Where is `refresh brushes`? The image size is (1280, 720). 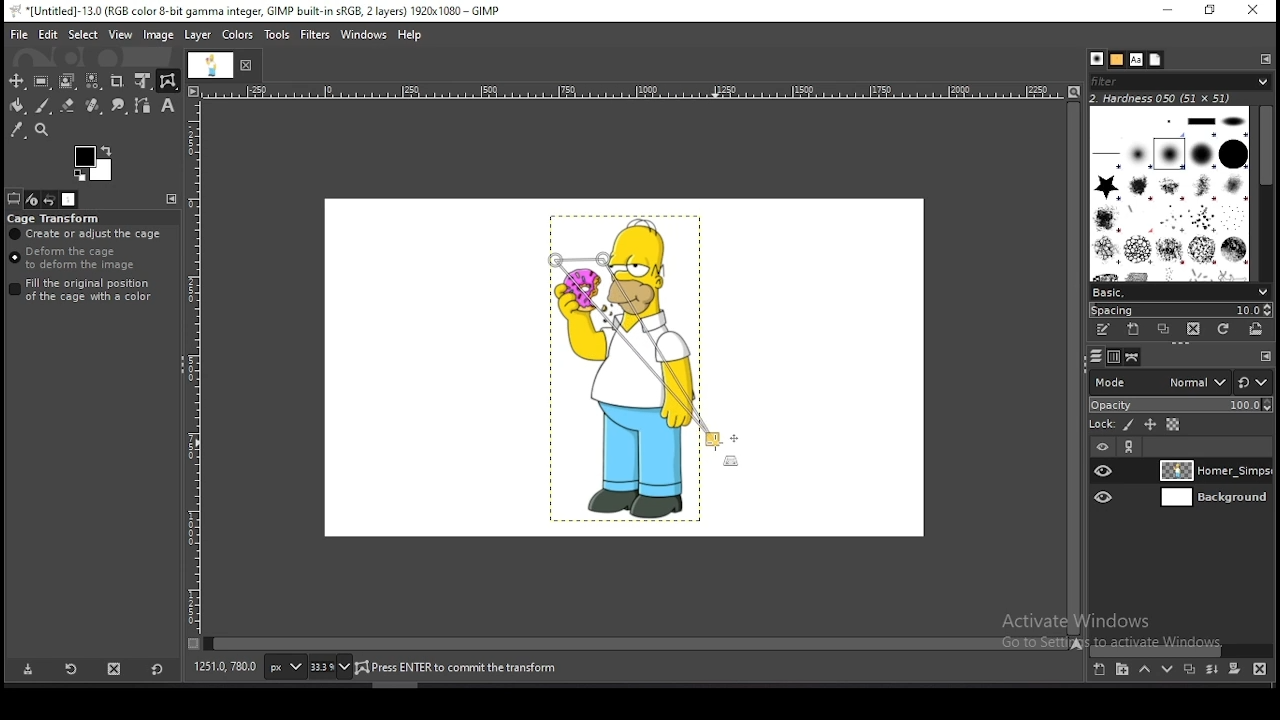 refresh brushes is located at coordinates (1224, 329).